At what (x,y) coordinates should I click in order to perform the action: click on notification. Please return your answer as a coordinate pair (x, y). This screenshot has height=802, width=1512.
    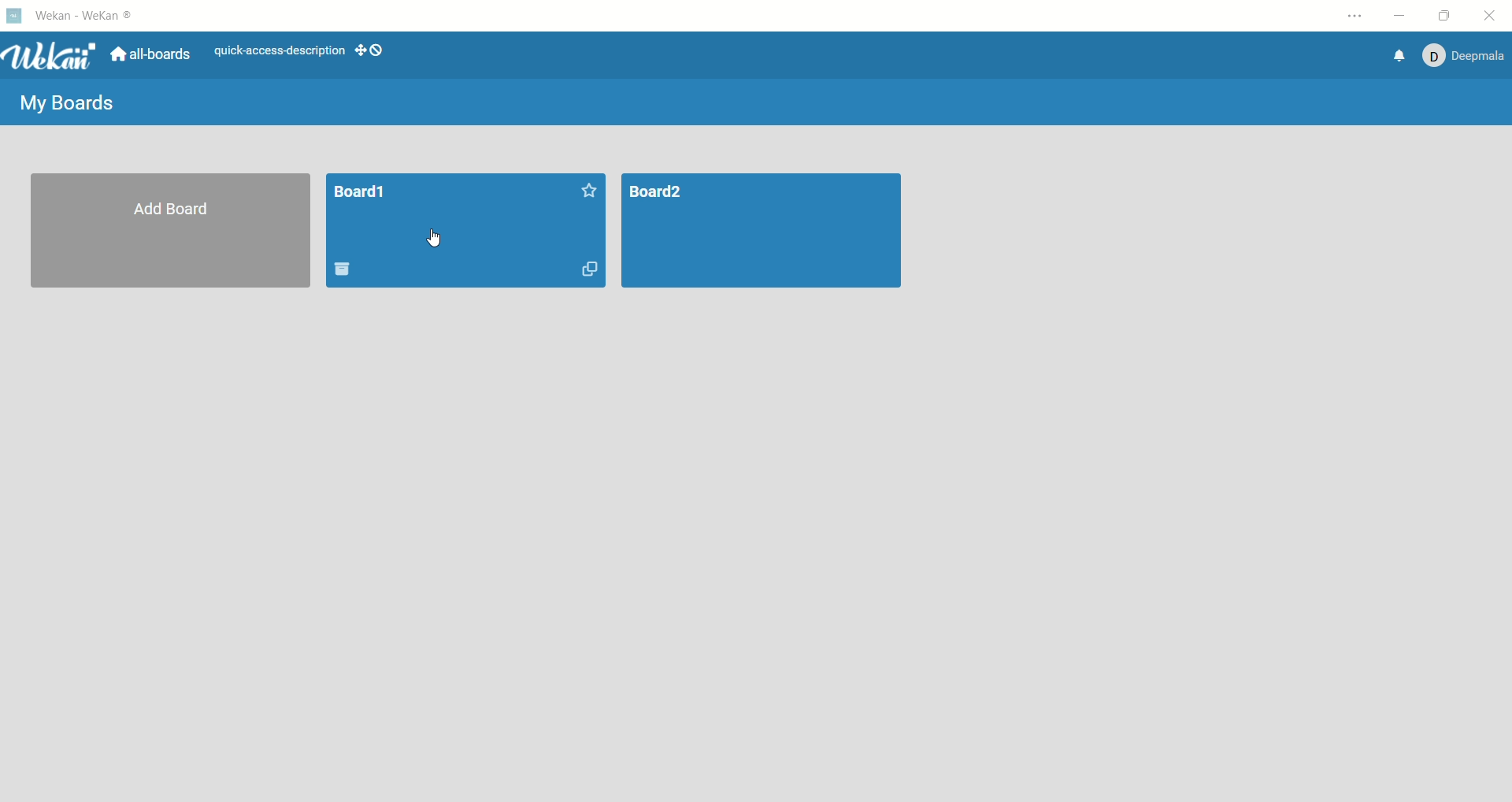
    Looking at the image, I should click on (1401, 56).